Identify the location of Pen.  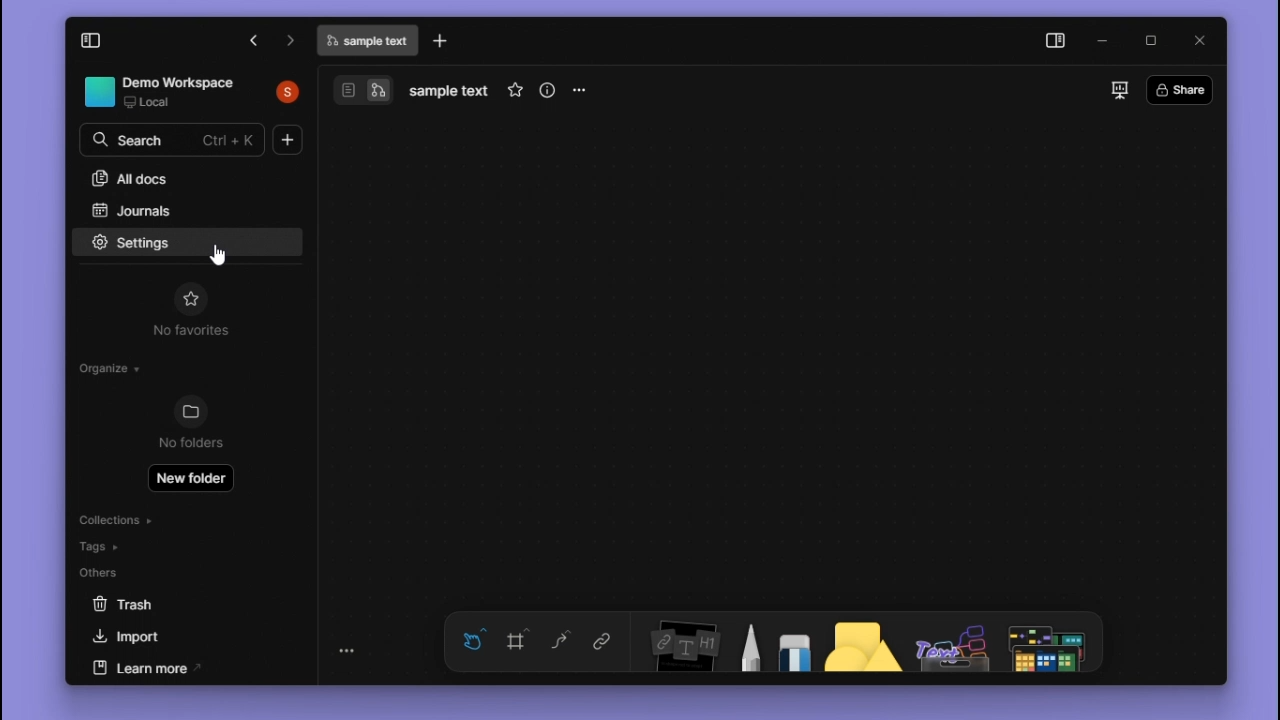
(745, 642).